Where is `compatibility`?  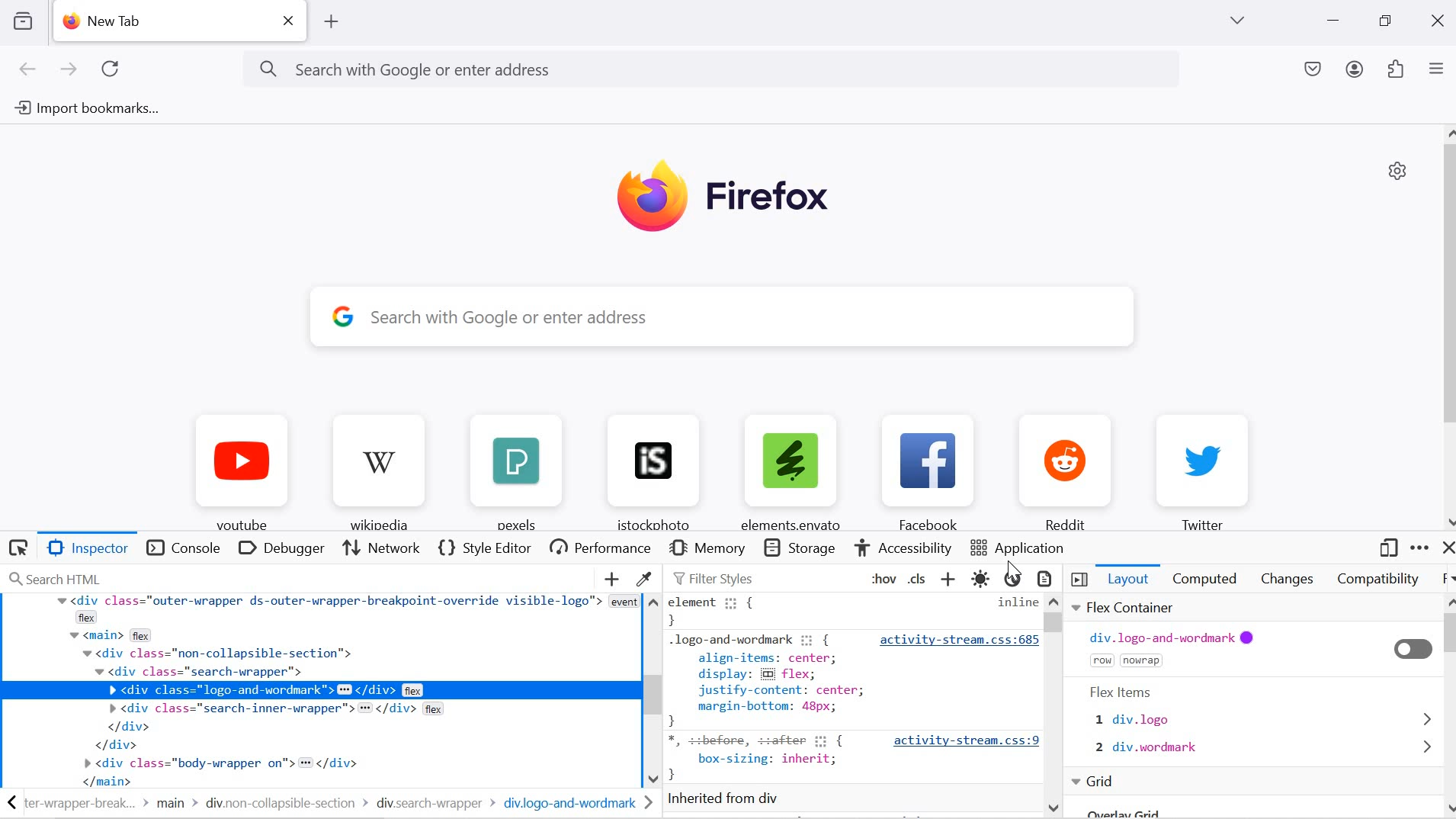
compatibility is located at coordinates (1381, 578).